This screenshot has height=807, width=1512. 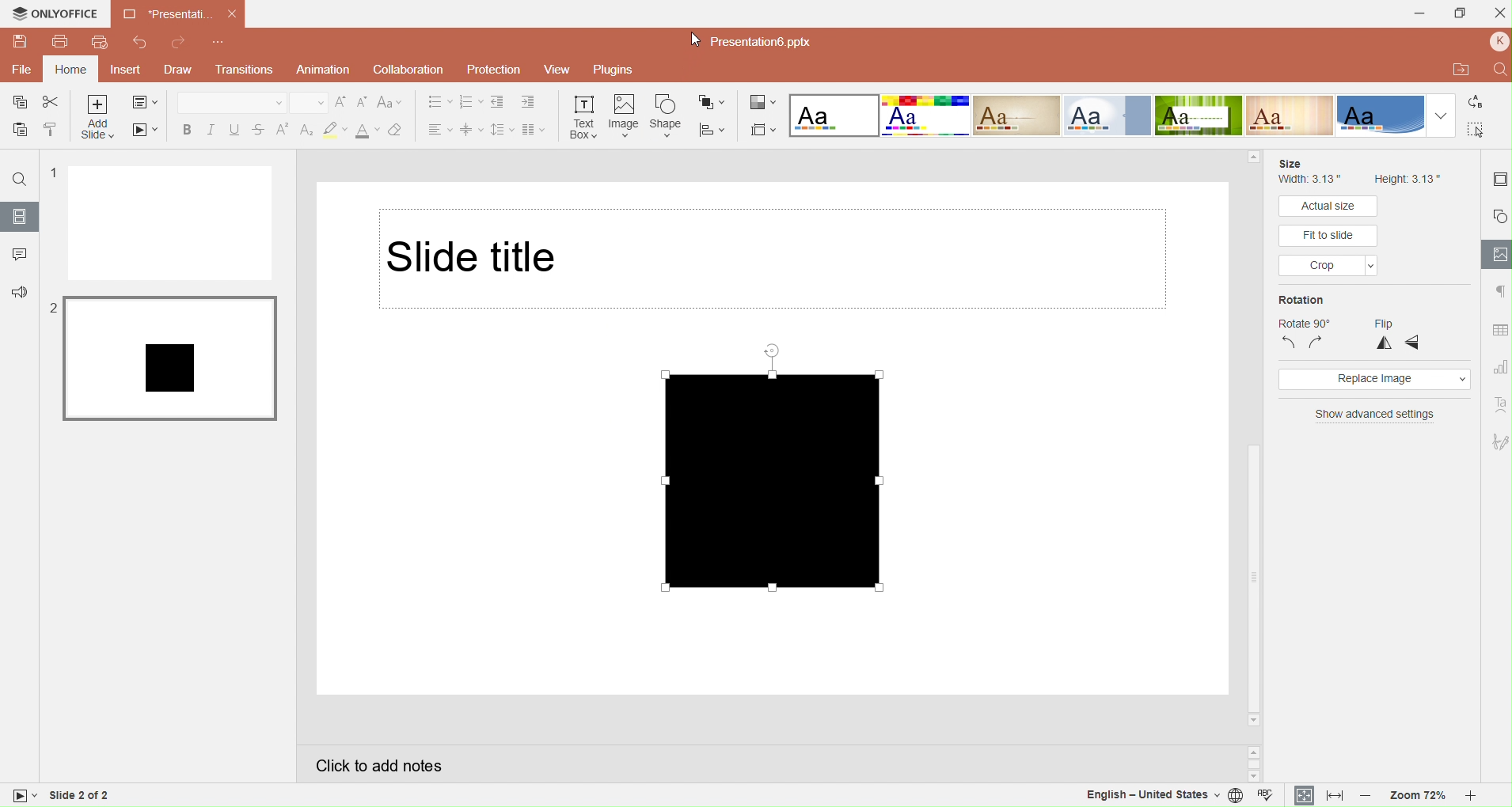 I want to click on Find, so click(x=18, y=180).